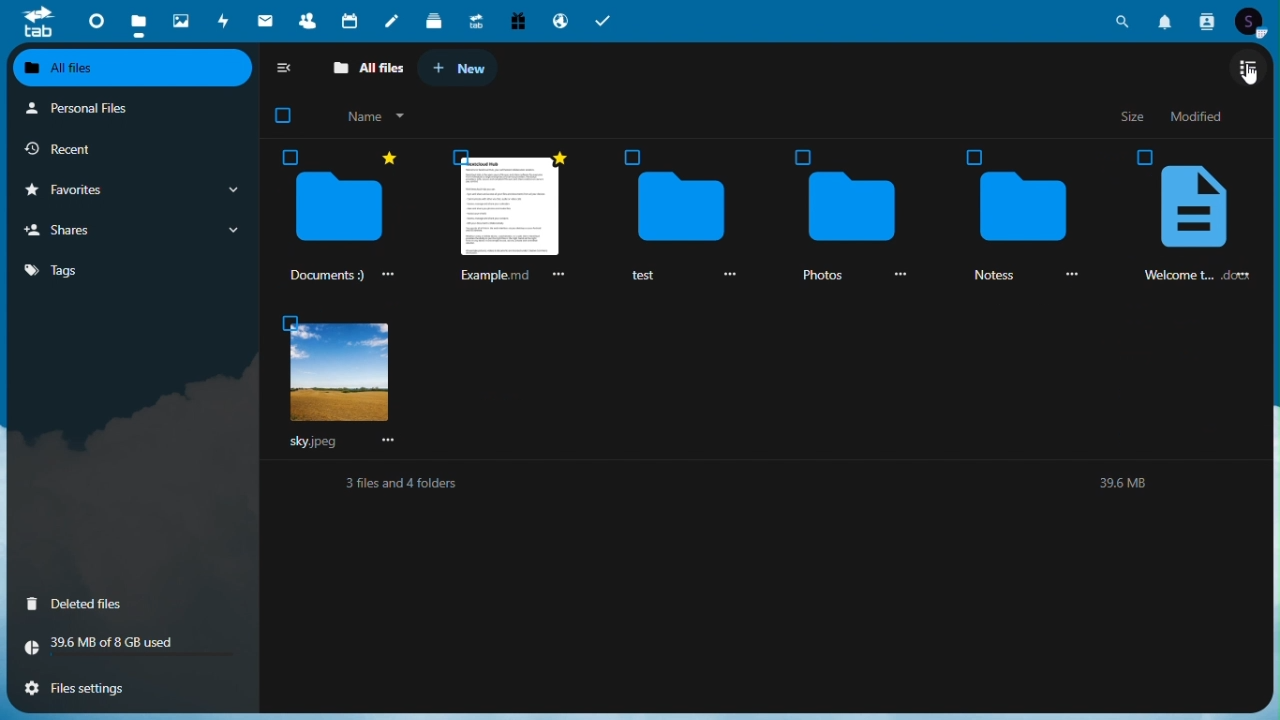 Image resolution: width=1280 pixels, height=720 pixels. I want to click on recent, so click(110, 147).